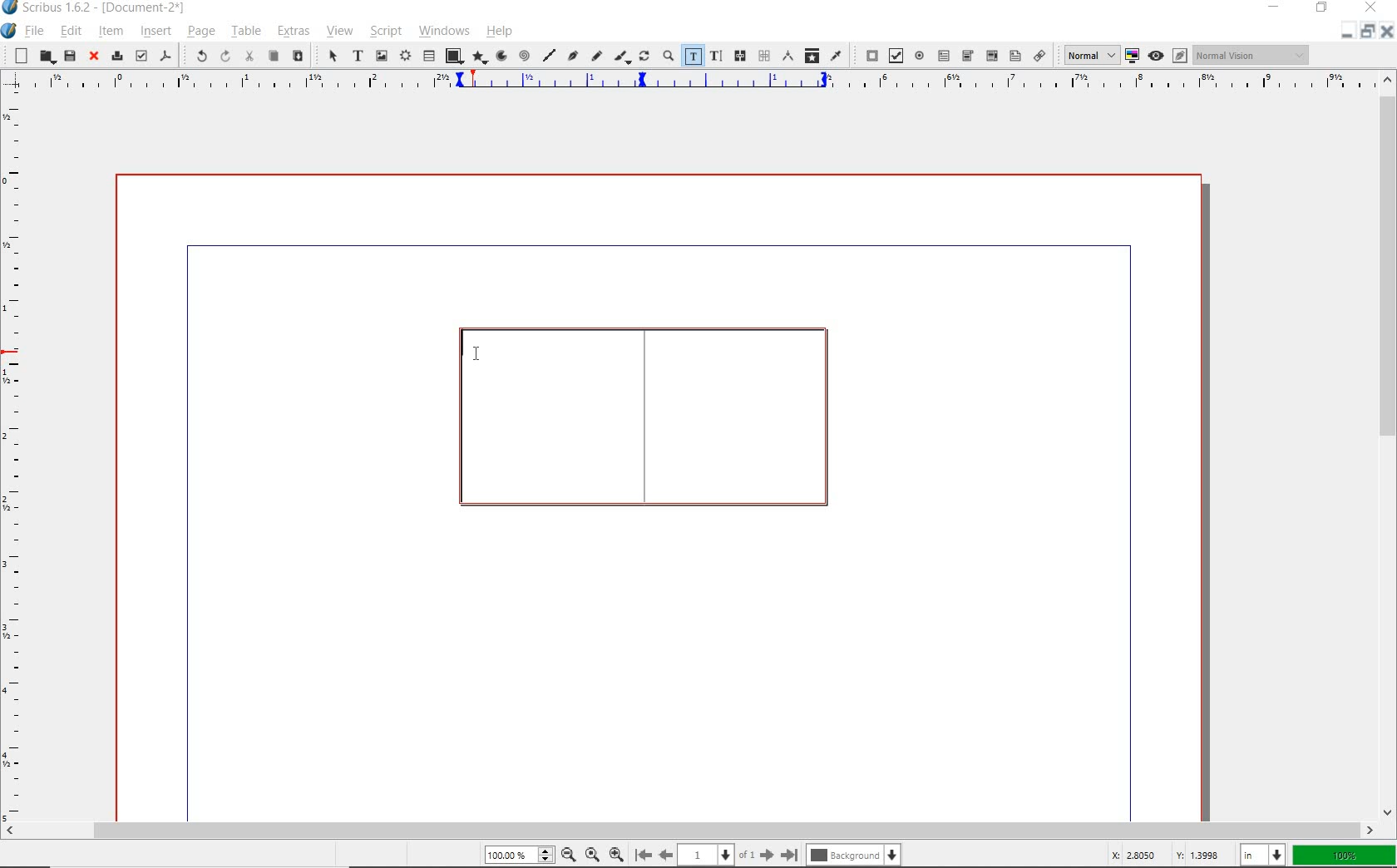 This screenshot has height=868, width=1397. Describe the element at coordinates (786, 57) in the screenshot. I see `measurements` at that location.